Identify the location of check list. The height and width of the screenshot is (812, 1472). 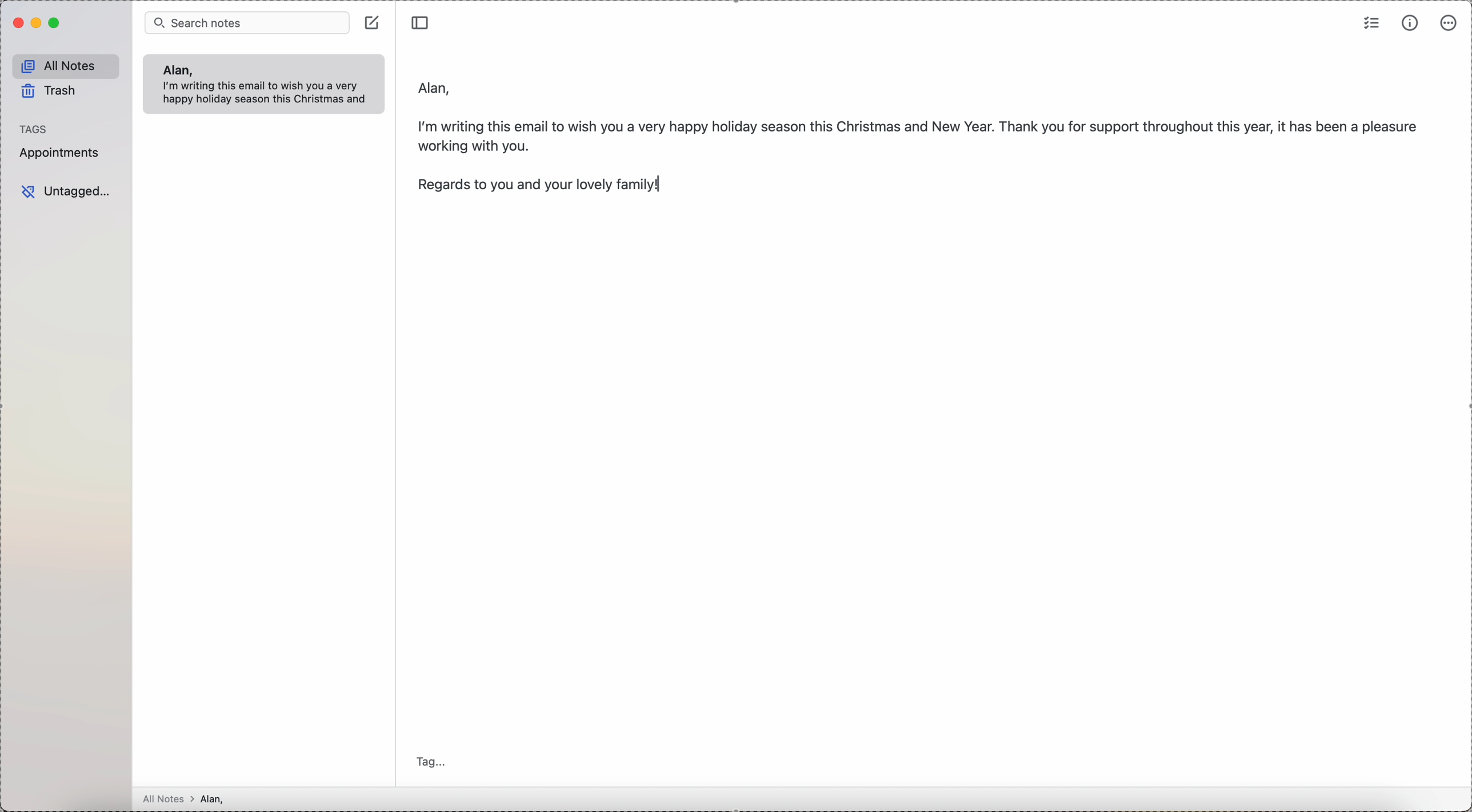
(1372, 22).